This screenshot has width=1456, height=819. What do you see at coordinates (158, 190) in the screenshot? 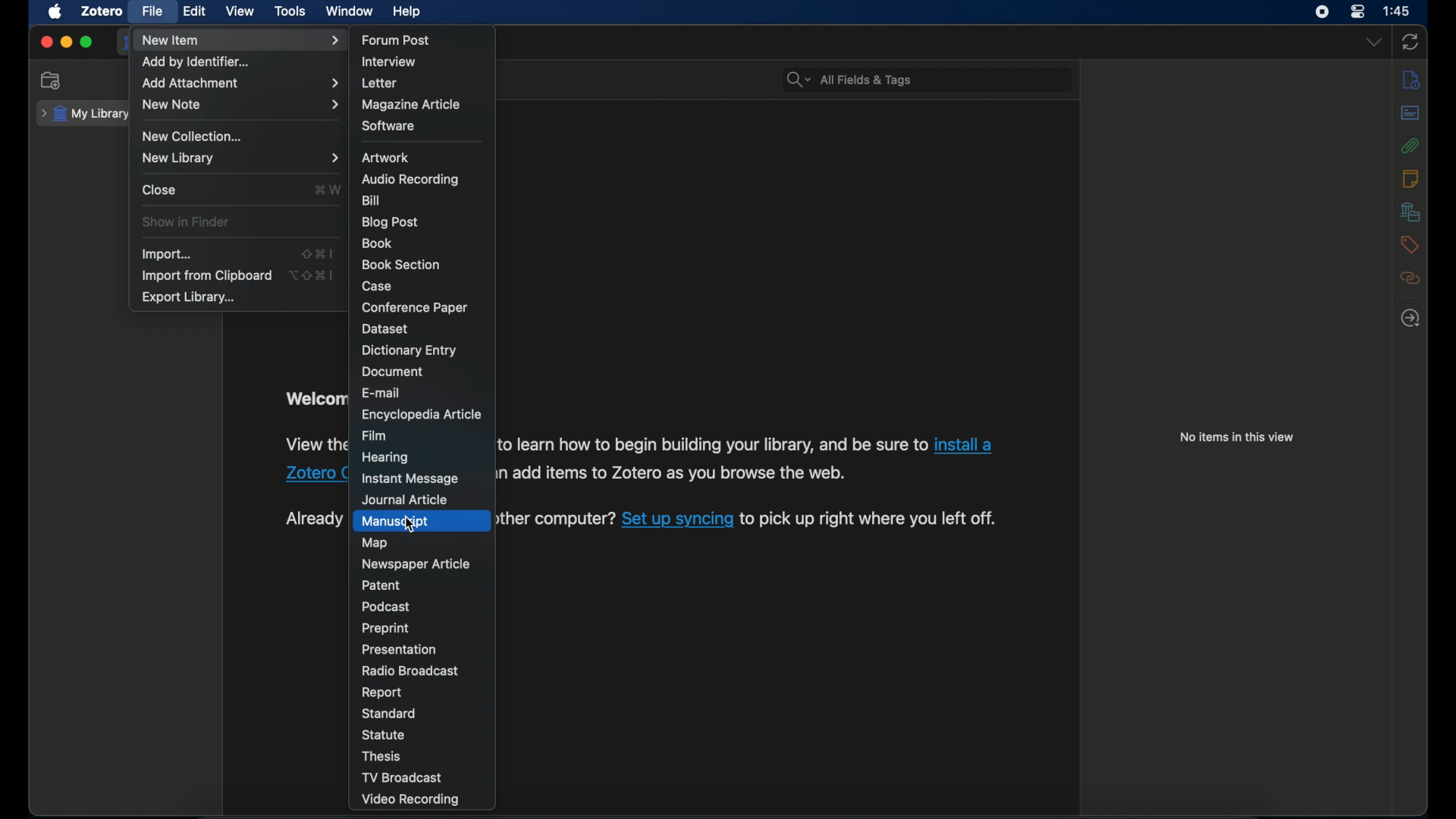
I see `close` at bounding box center [158, 190].